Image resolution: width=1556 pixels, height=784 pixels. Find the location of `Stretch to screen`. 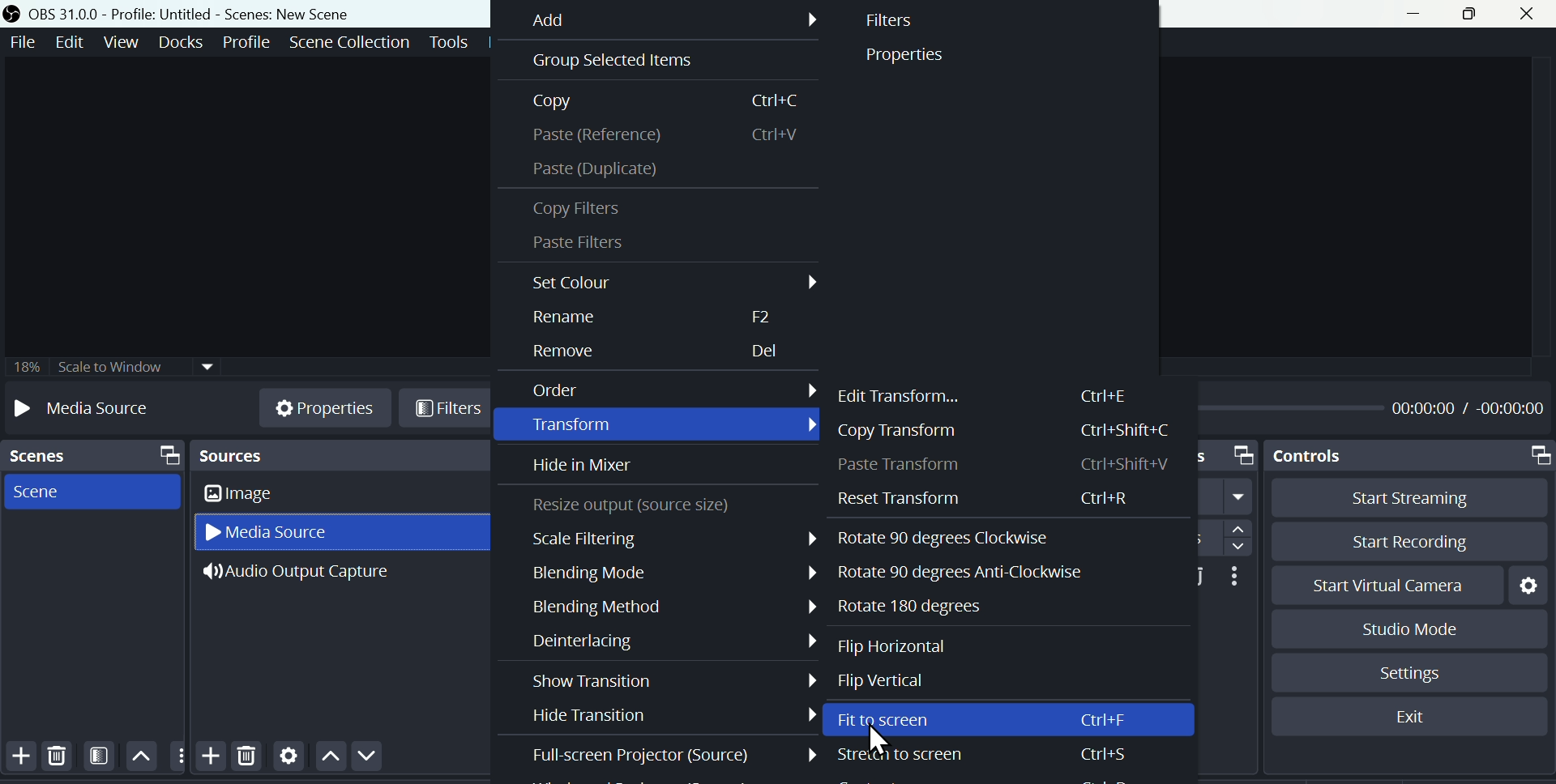

Stretch to screen is located at coordinates (902, 759).